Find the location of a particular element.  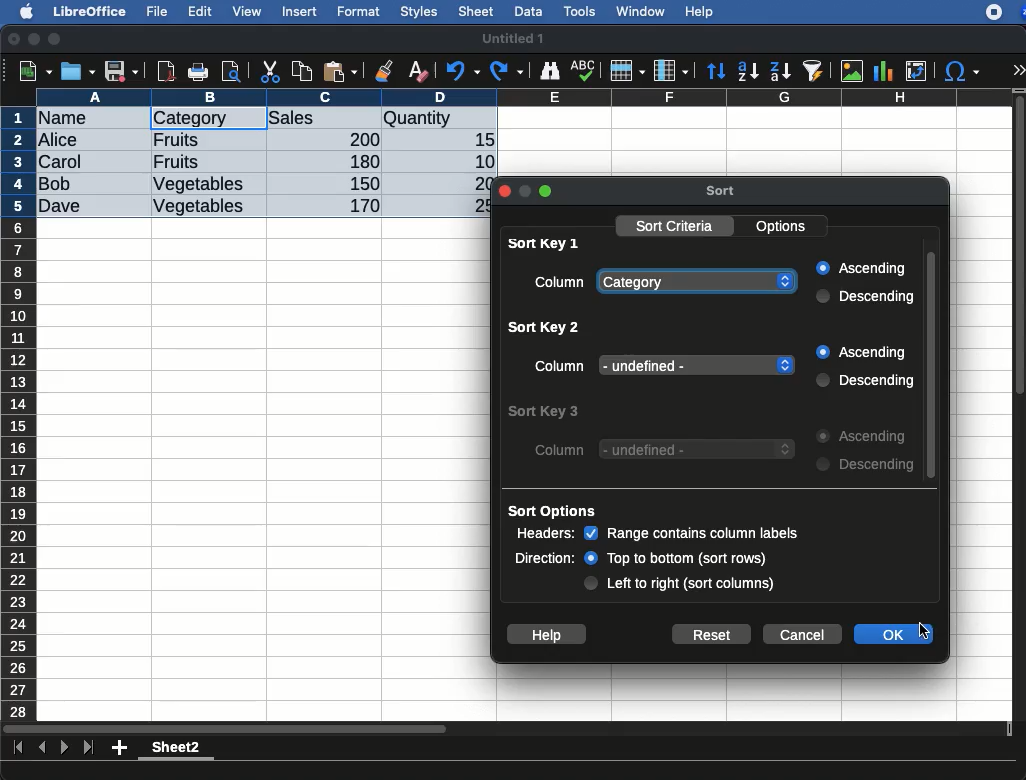

sort is located at coordinates (715, 72).